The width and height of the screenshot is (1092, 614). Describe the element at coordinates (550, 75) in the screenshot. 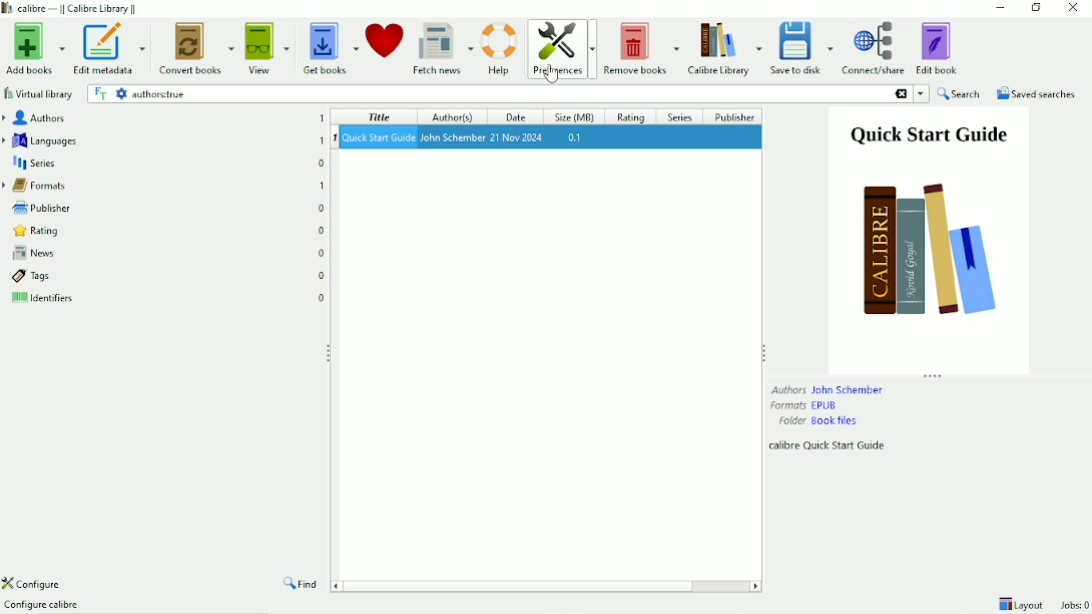

I see `cursor` at that location.